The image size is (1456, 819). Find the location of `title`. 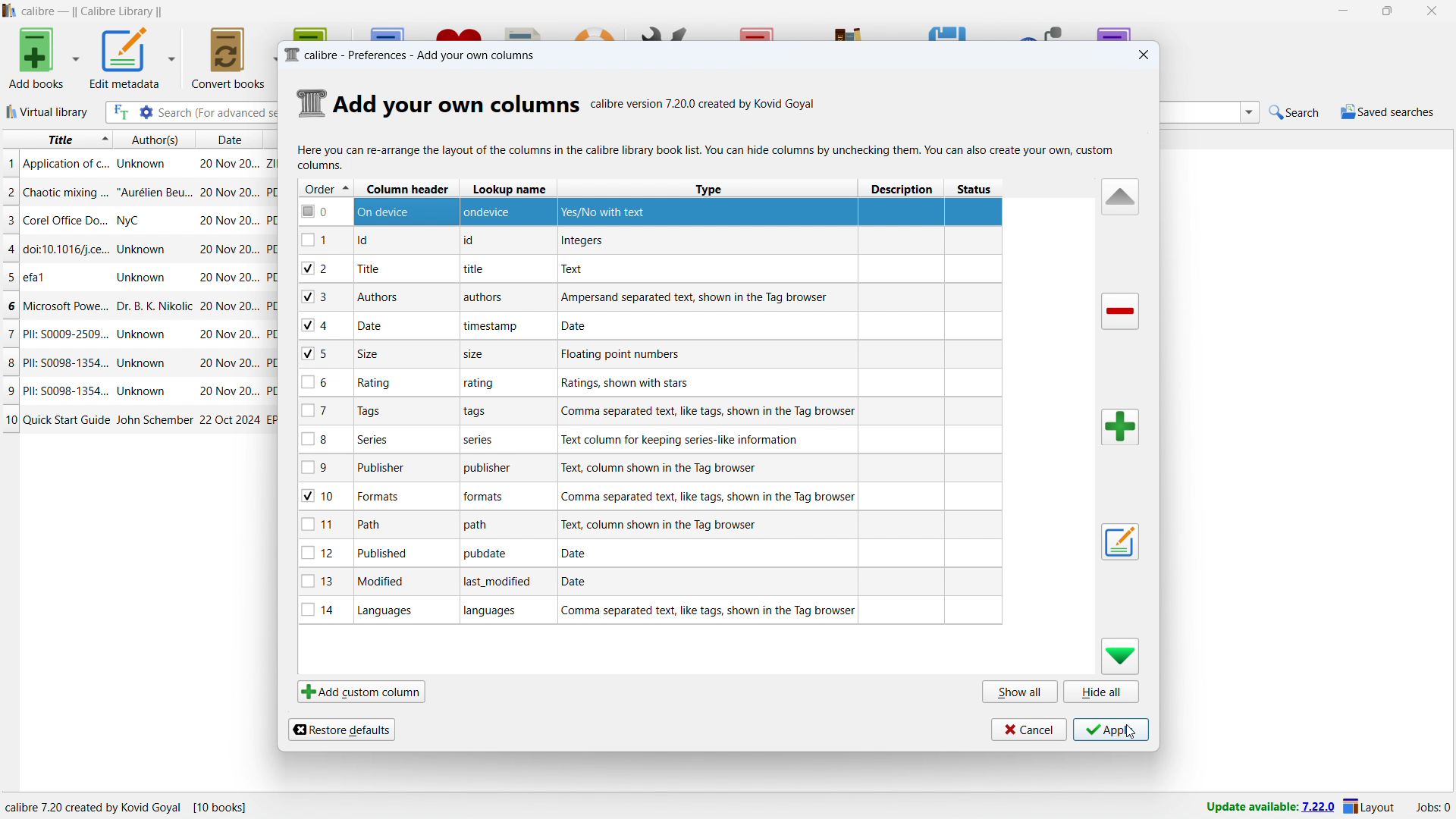

title is located at coordinates (476, 270).